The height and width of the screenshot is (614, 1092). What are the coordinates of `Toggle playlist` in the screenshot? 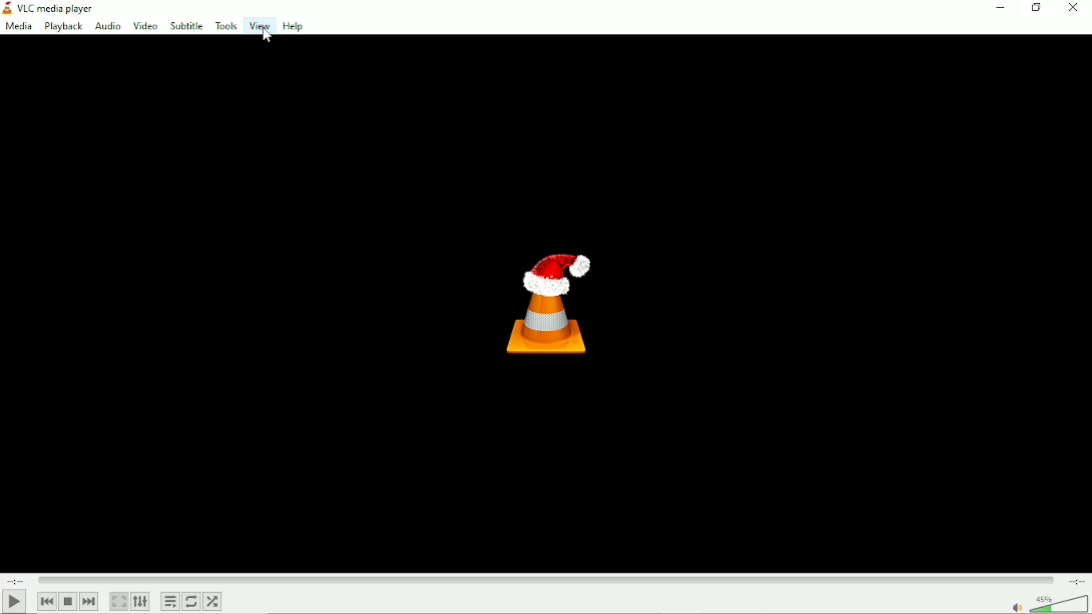 It's located at (170, 602).